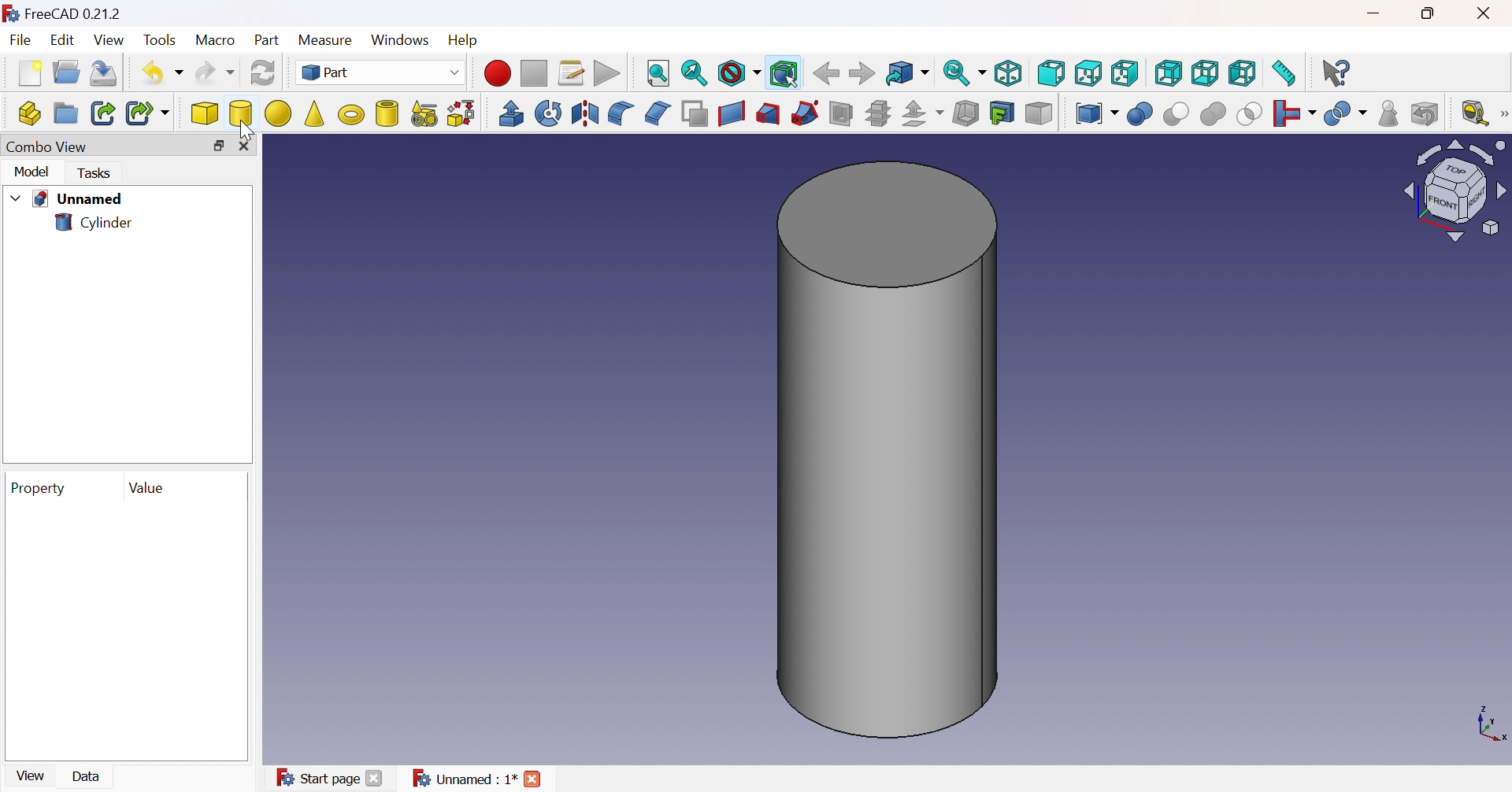 The height and width of the screenshot is (792, 1512). What do you see at coordinates (1284, 72) in the screenshot?
I see `Measure distance` at bounding box center [1284, 72].